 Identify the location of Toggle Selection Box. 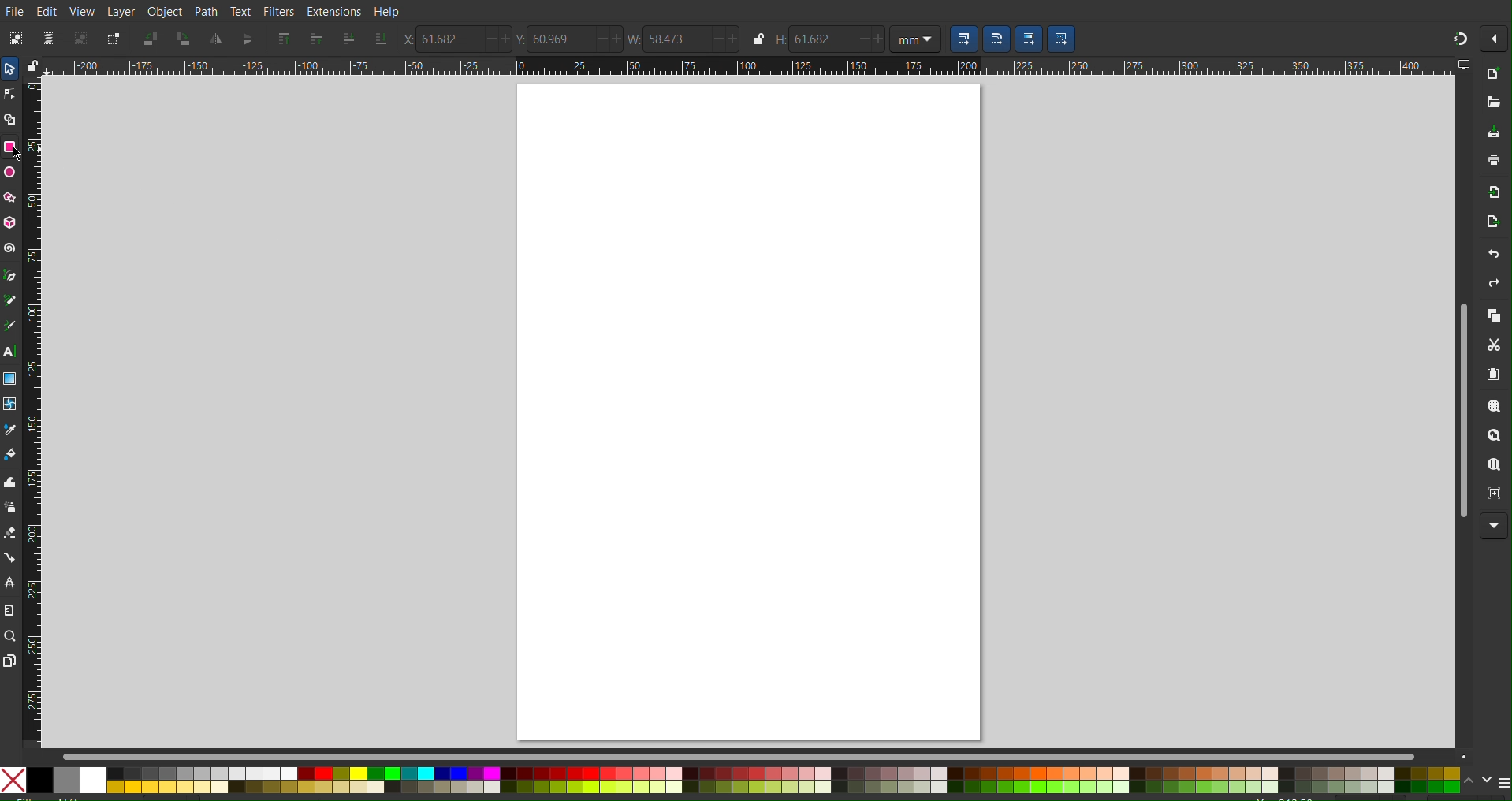
(112, 39).